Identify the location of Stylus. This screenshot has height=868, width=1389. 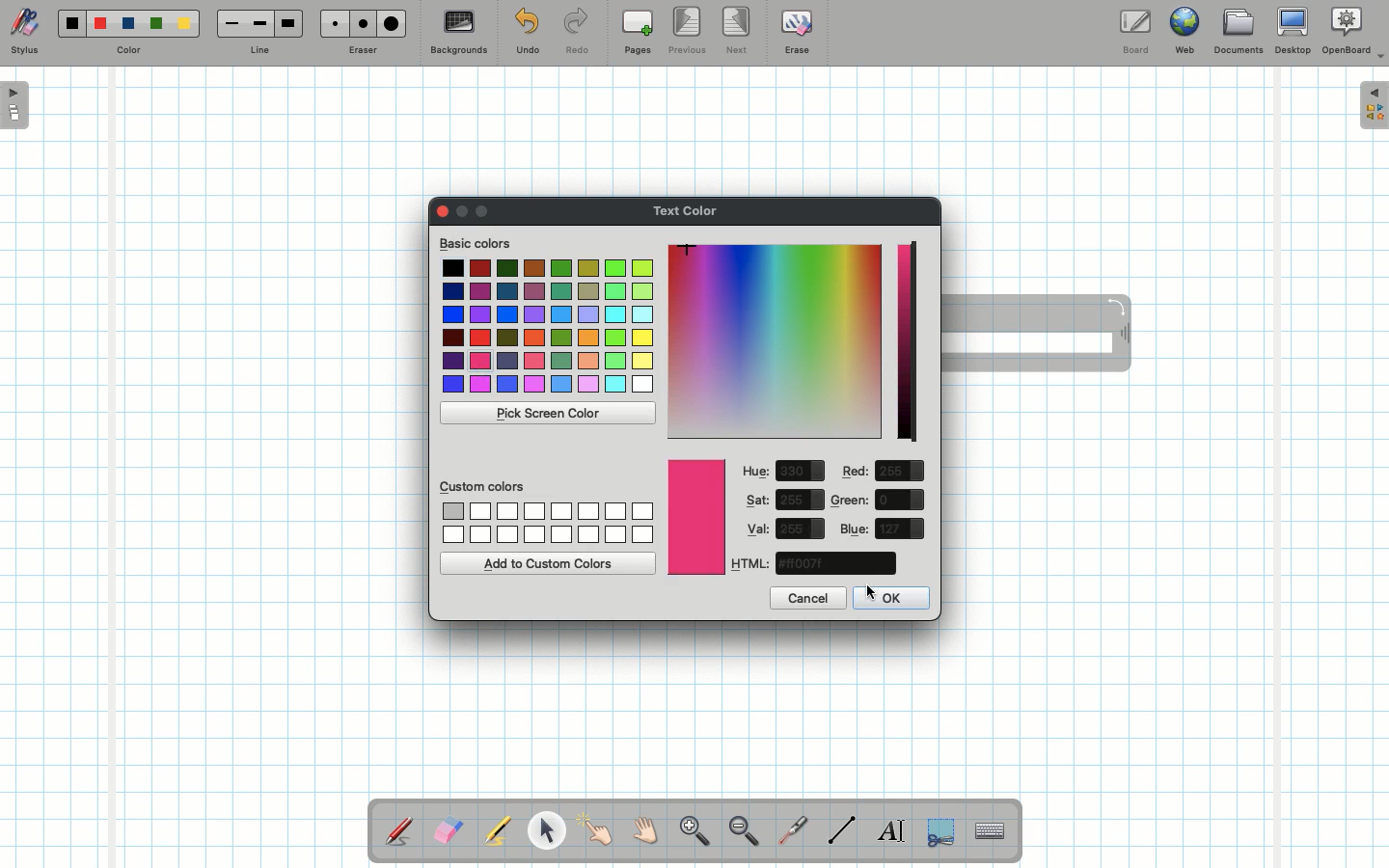
(24, 32).